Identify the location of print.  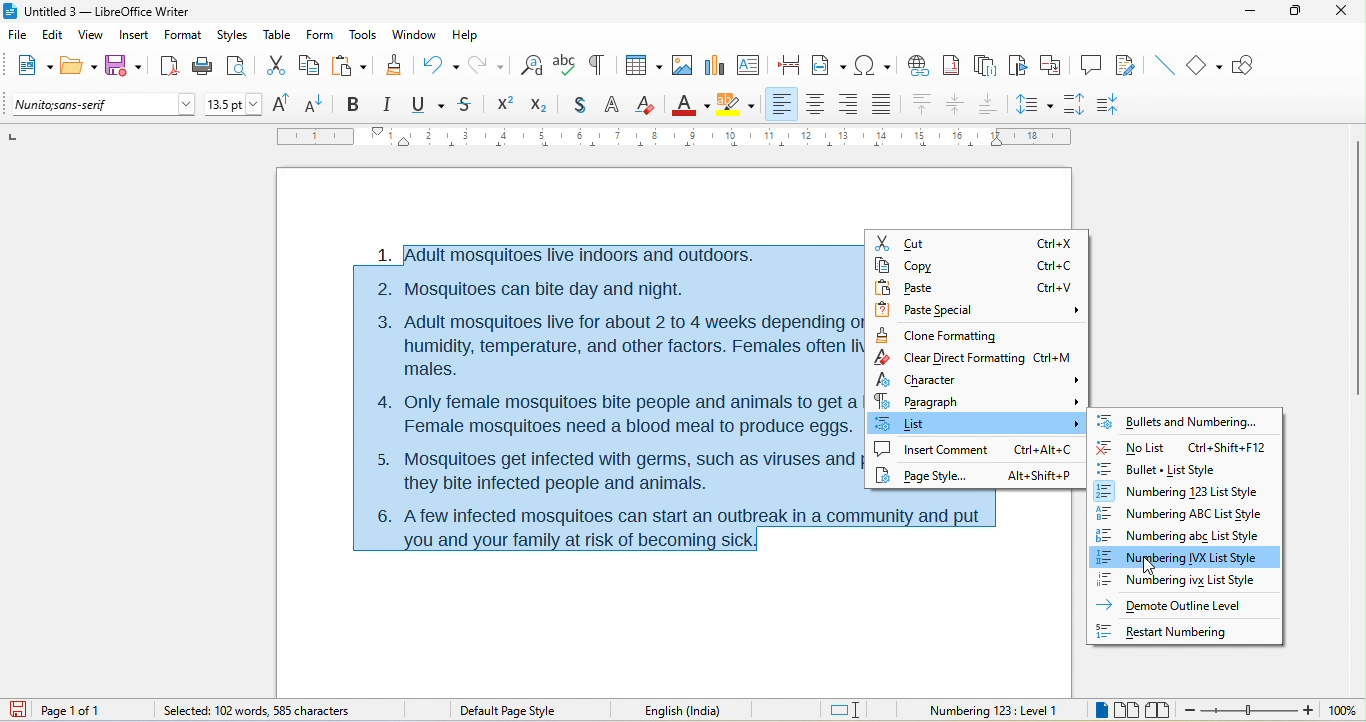
(202, 69).